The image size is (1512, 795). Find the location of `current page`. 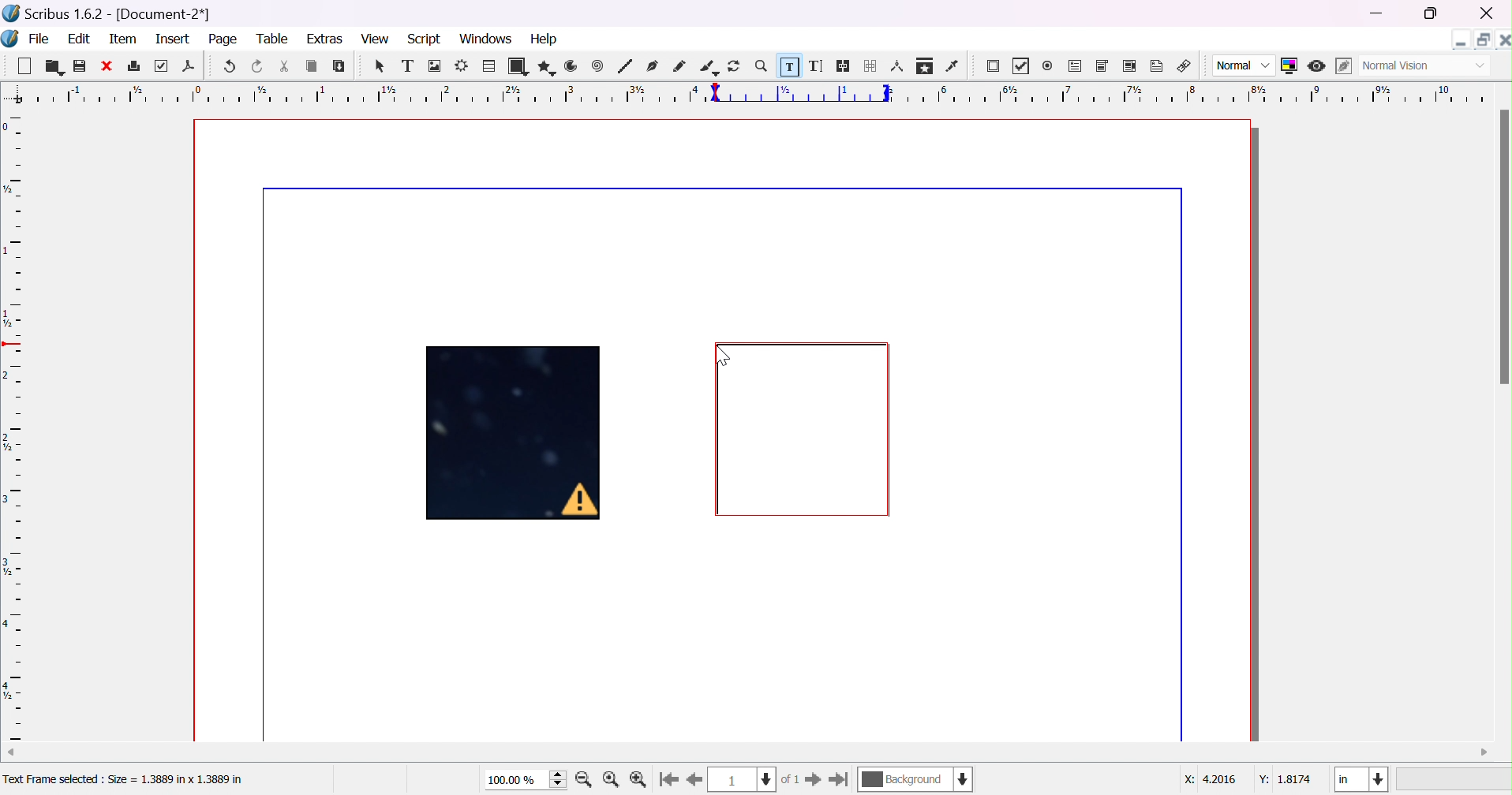

current page is located at coordinates (757, 779).